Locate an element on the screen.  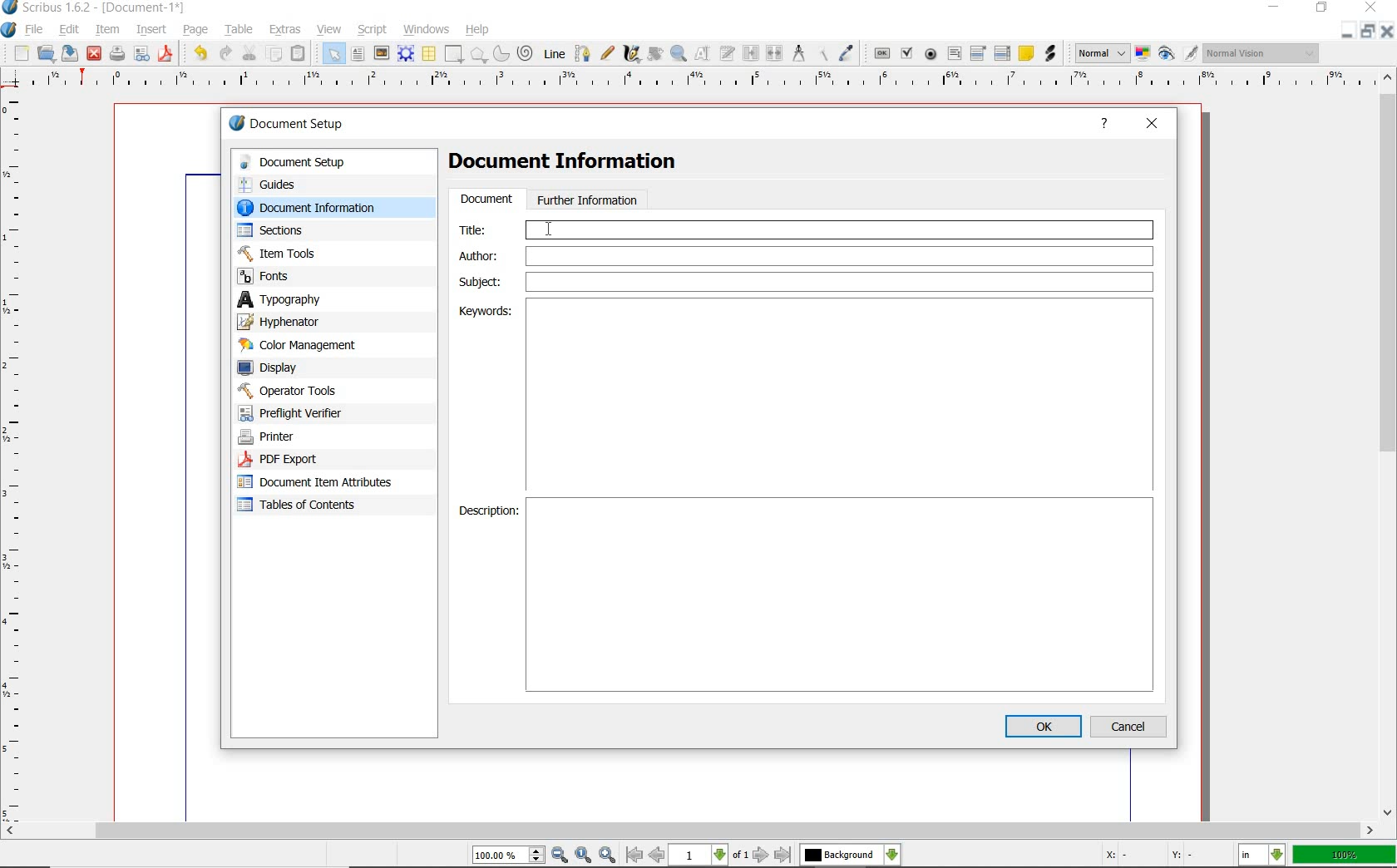
minimize is located at coordinates (1343, 34).